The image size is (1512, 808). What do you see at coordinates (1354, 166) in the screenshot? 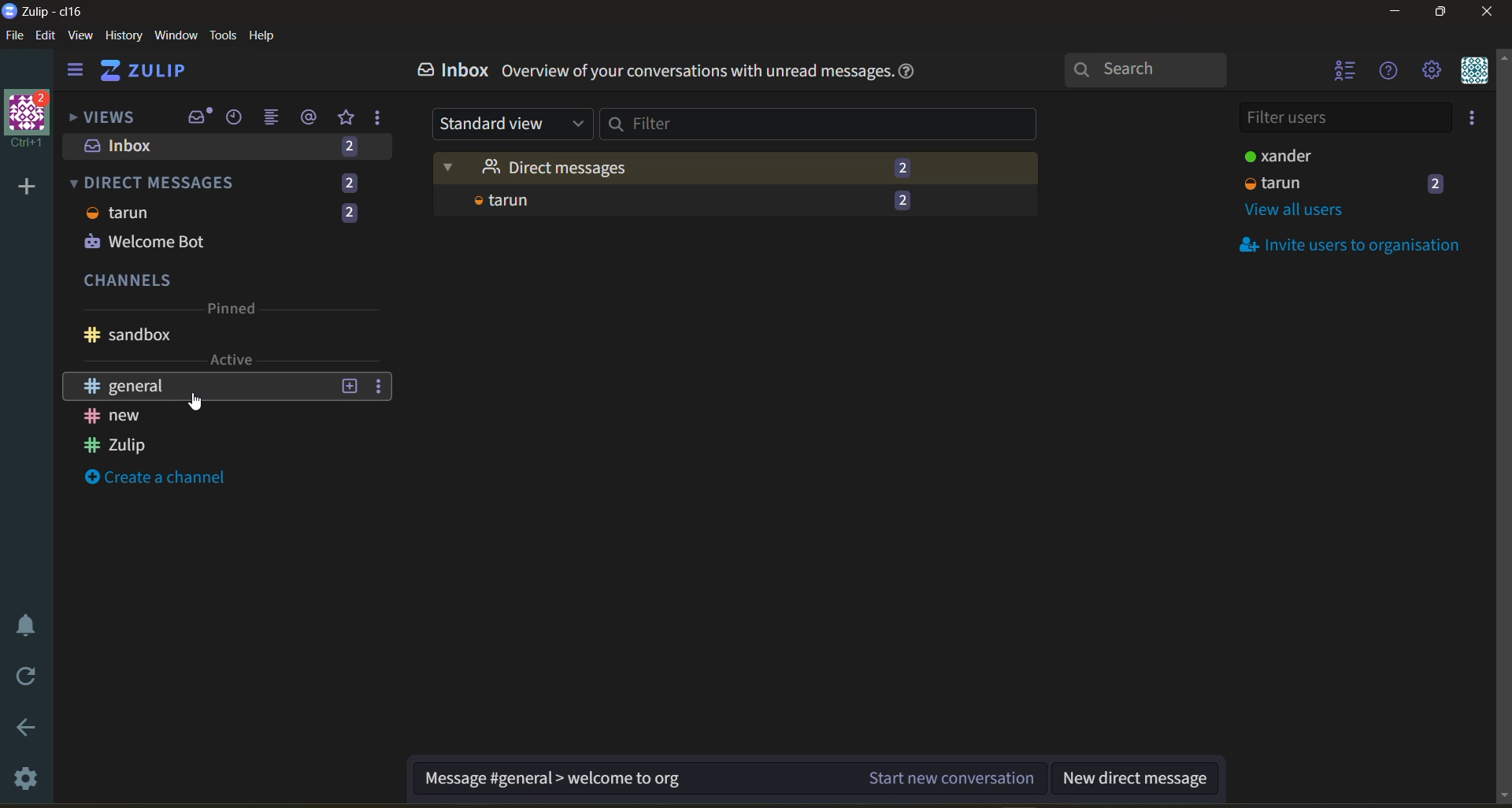
I see `users and status` at bounding box center [1354, 166].